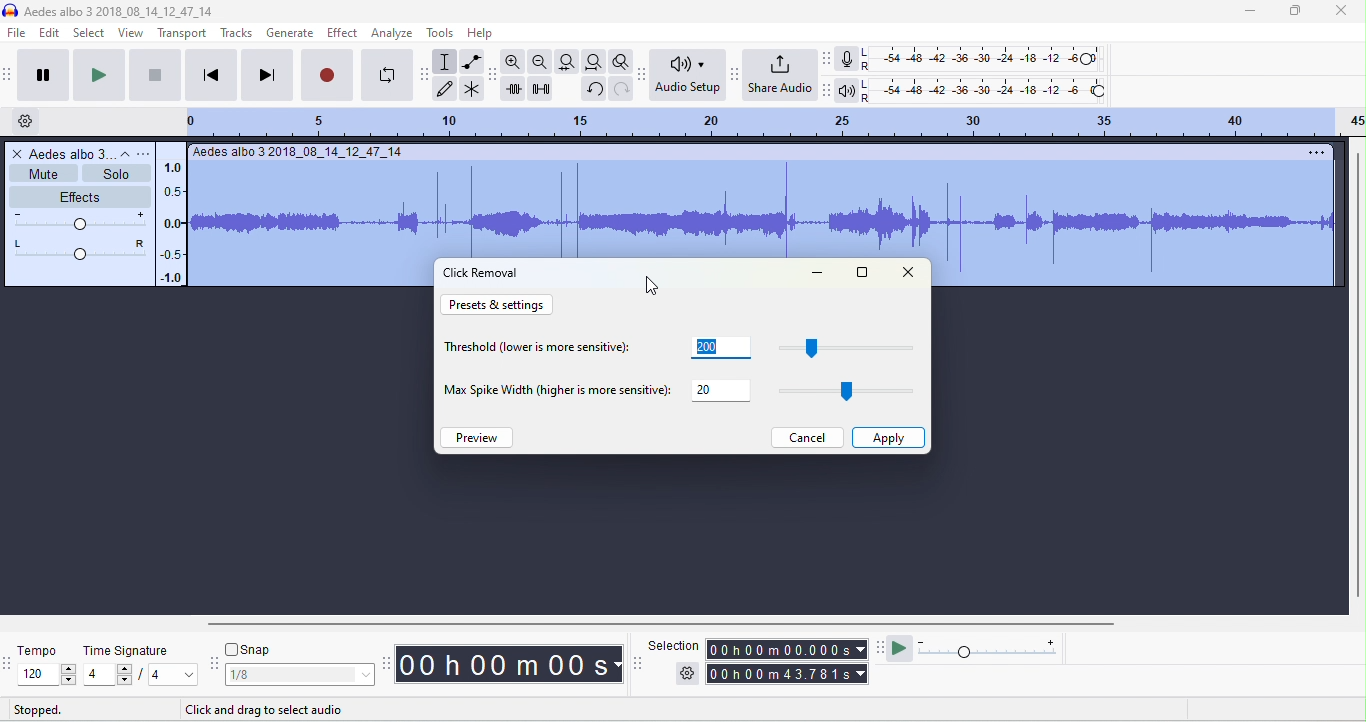 The image size is (1366, 722). What do you see at coordinates (16, 155) in the screenshot?
I see `close` at bounding box center [16, 155].